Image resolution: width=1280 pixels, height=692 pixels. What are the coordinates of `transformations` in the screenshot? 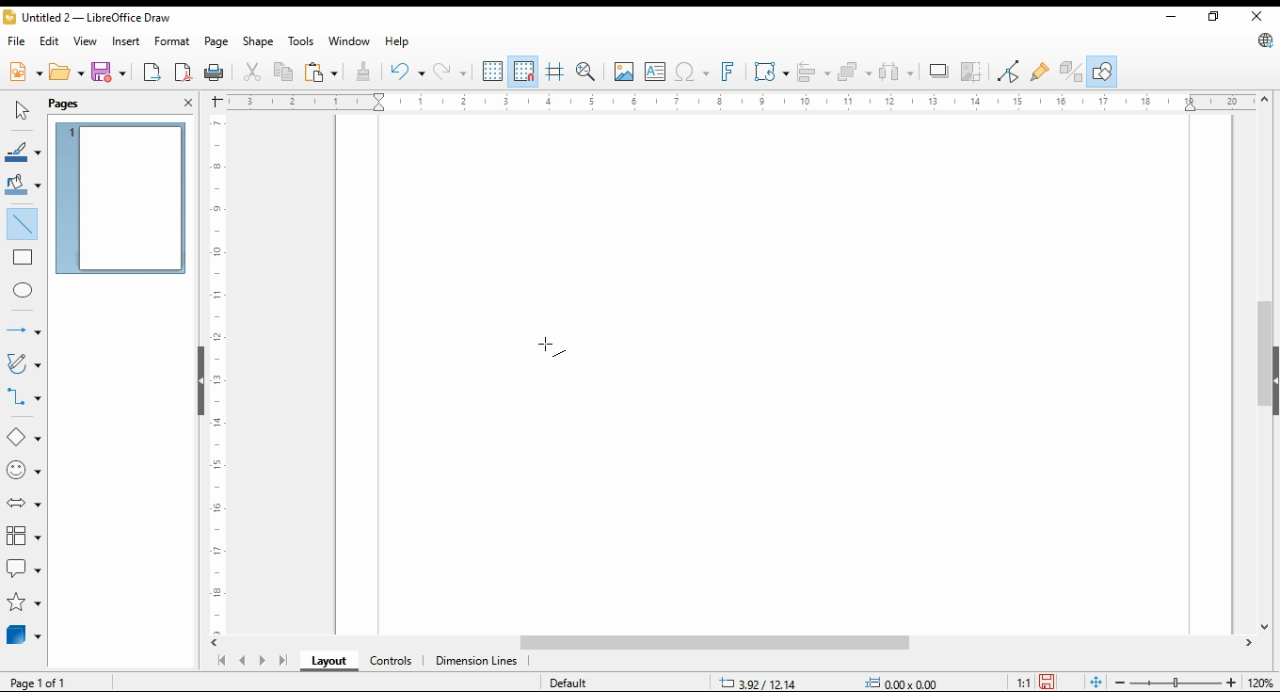 It's located at (770, 71).